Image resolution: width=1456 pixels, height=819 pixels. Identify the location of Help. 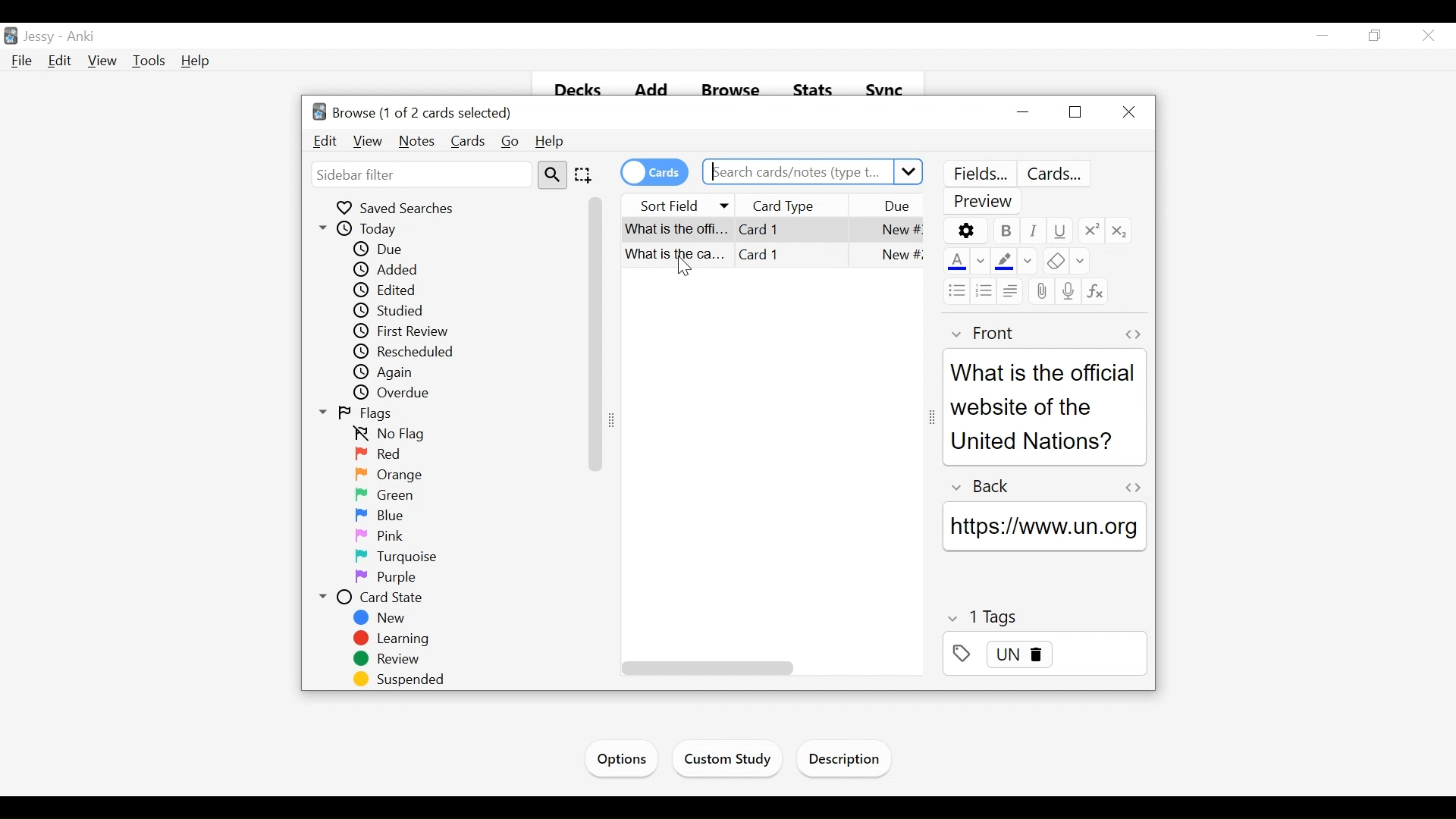
(551, 142).